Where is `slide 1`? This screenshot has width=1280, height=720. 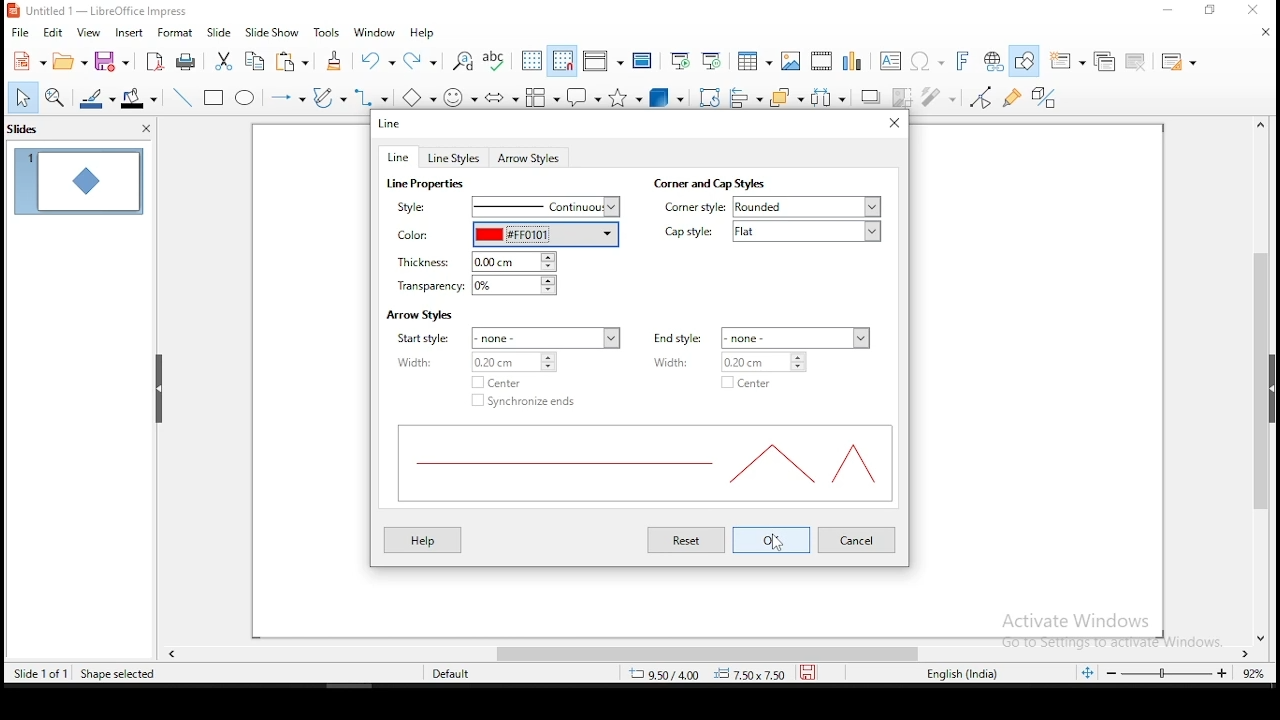
slide 1 is located at coordinates (76, 180).